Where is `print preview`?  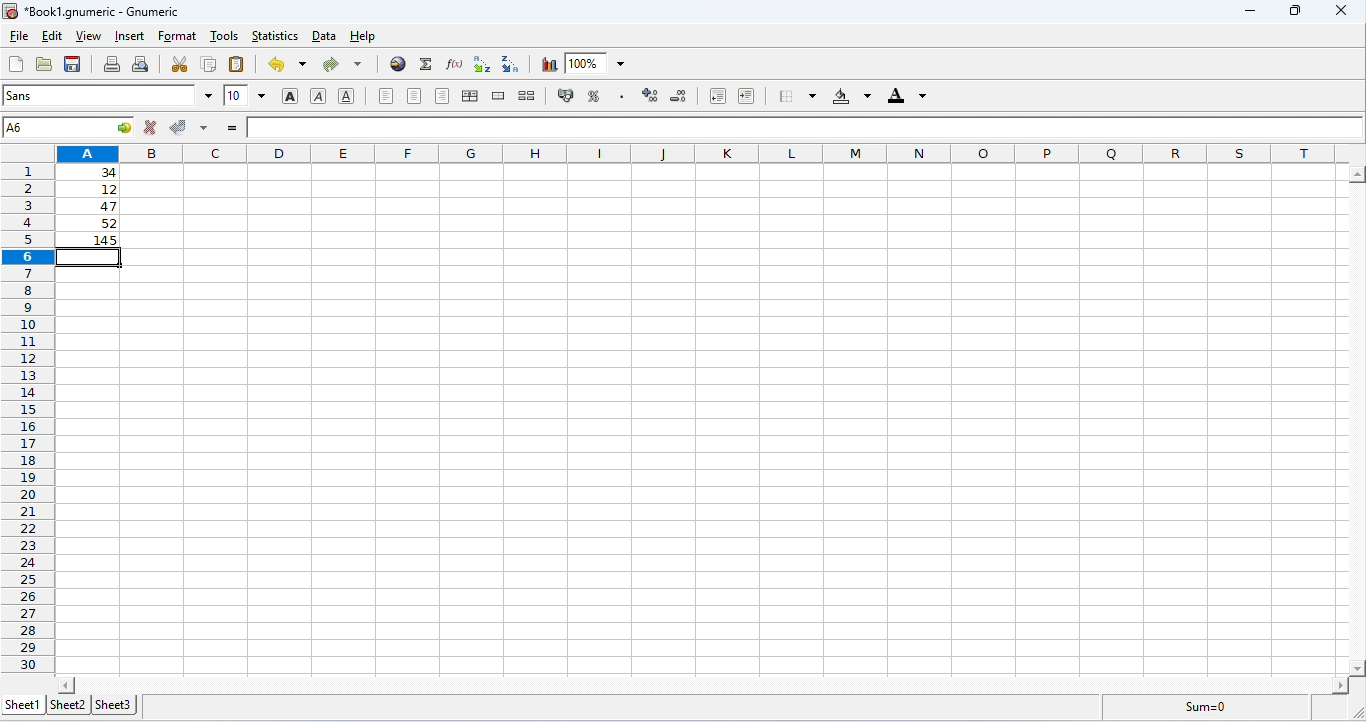 print preview is located at coordinates (142, 64).